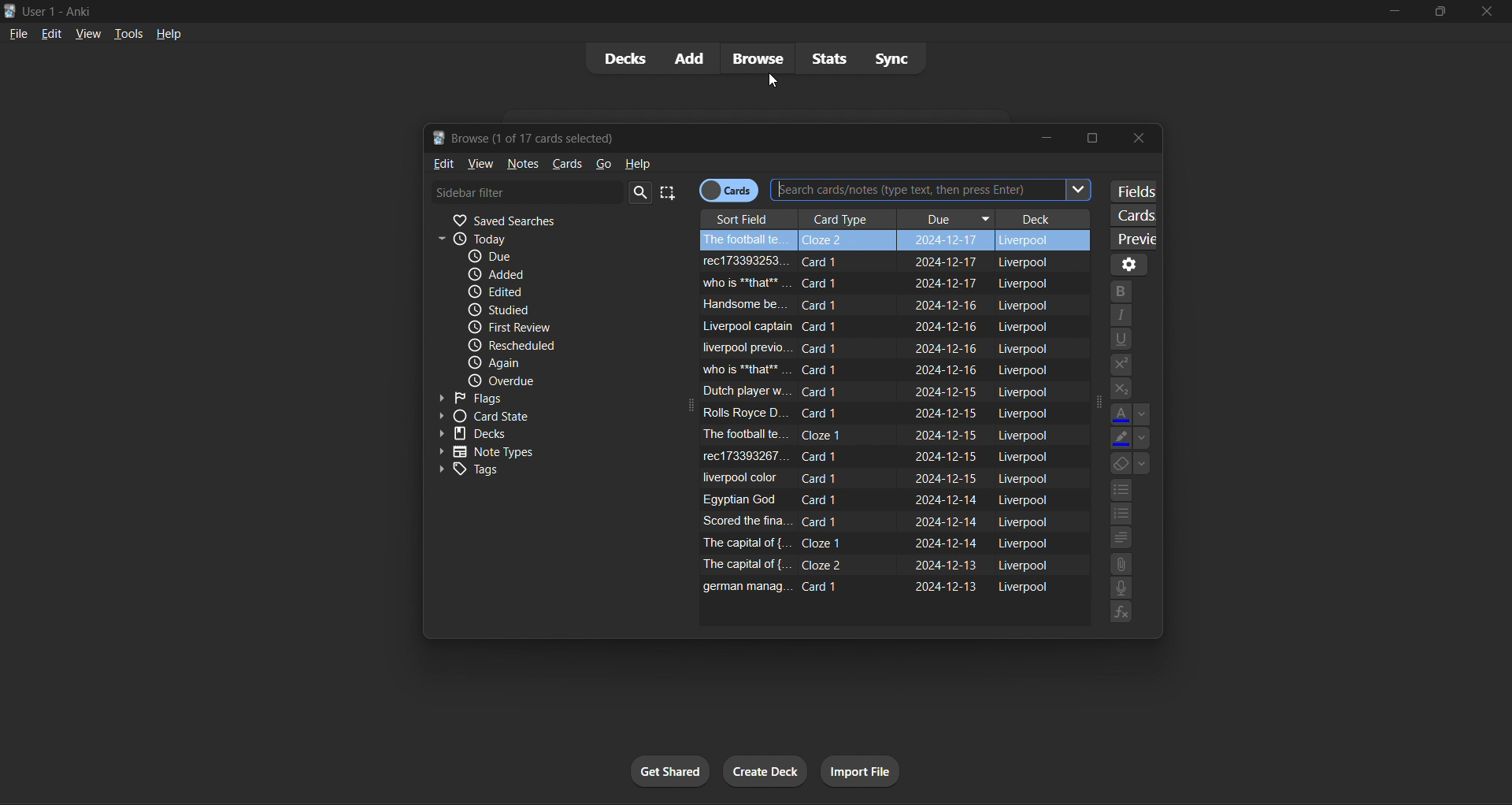 The image size is (1512, 805). What do you see at coordinates (745, 499) in the screenshot?
I see `field` at bounding box center [745, 499].